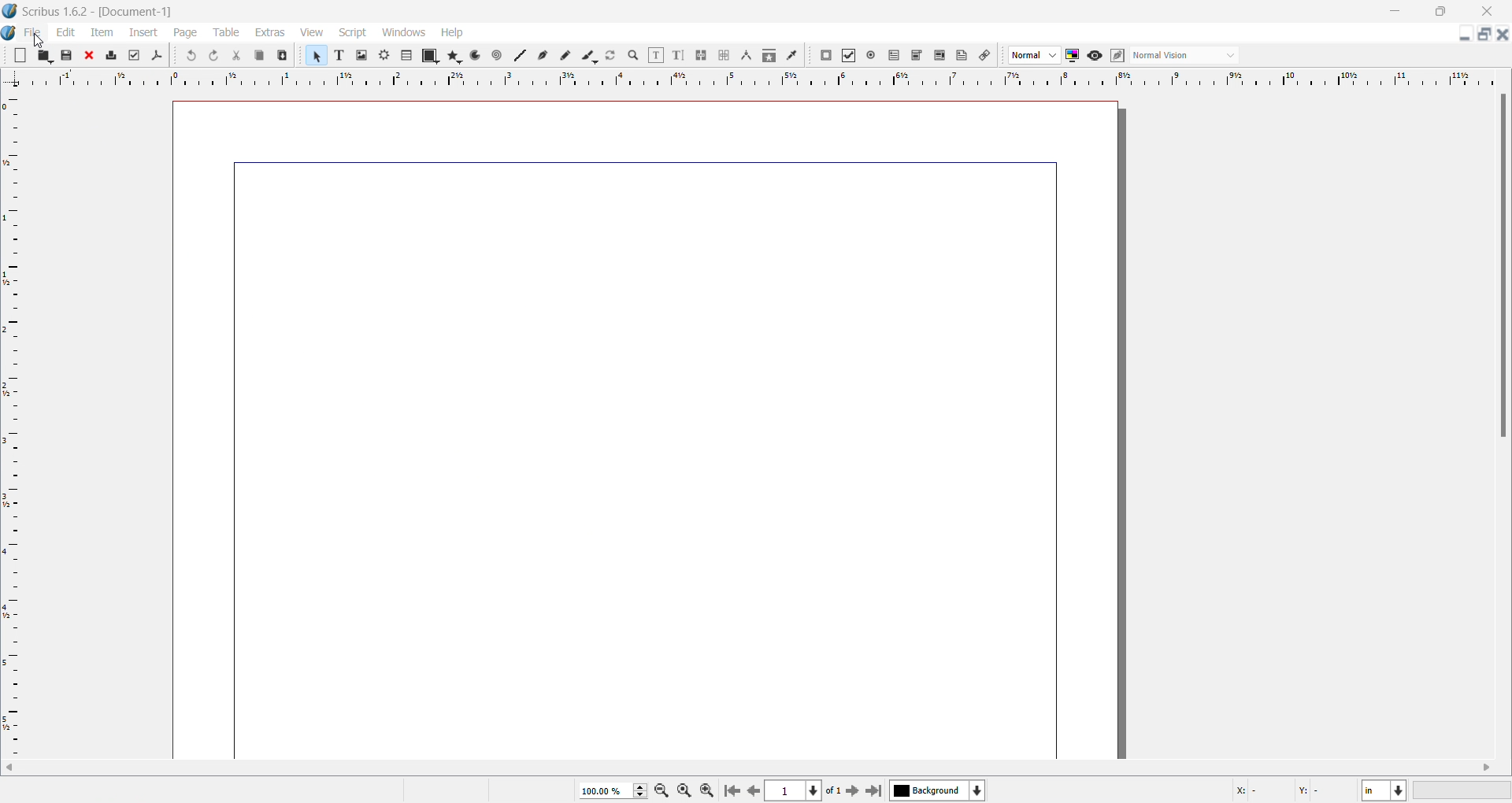 Image resolution: width=1512 pixels, height=803 pixels. What do you see at coordinates (44, 57) in the screenshot?
I see `open folder` at bounding box center [44, 57].